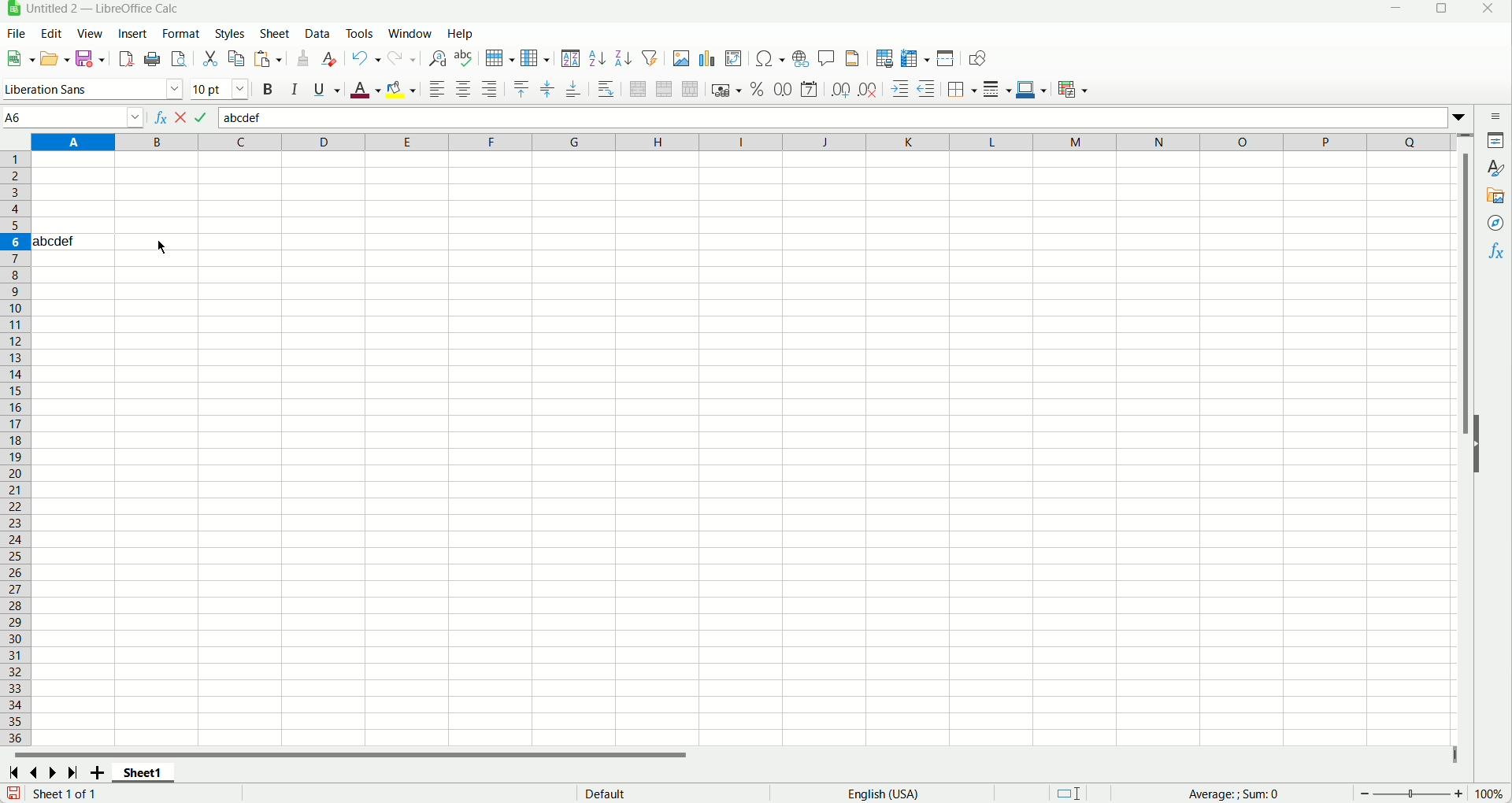 This screenshot has height=803, width=1512. What do you see at coordinates (1497, 197) in the screenshot?
I see `gallery` at bounding box center [1497, 197].